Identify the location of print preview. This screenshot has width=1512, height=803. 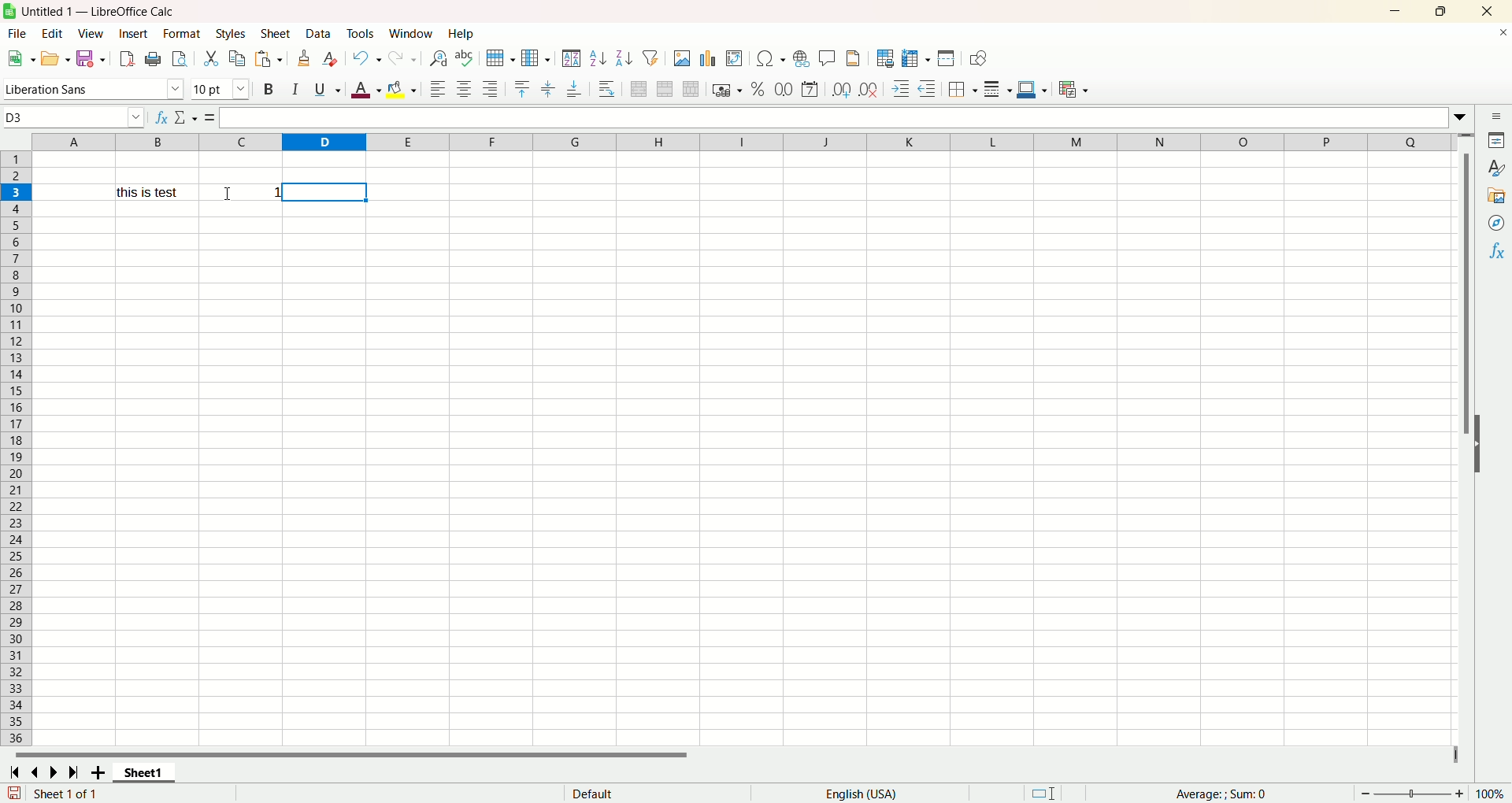
(179, 60).